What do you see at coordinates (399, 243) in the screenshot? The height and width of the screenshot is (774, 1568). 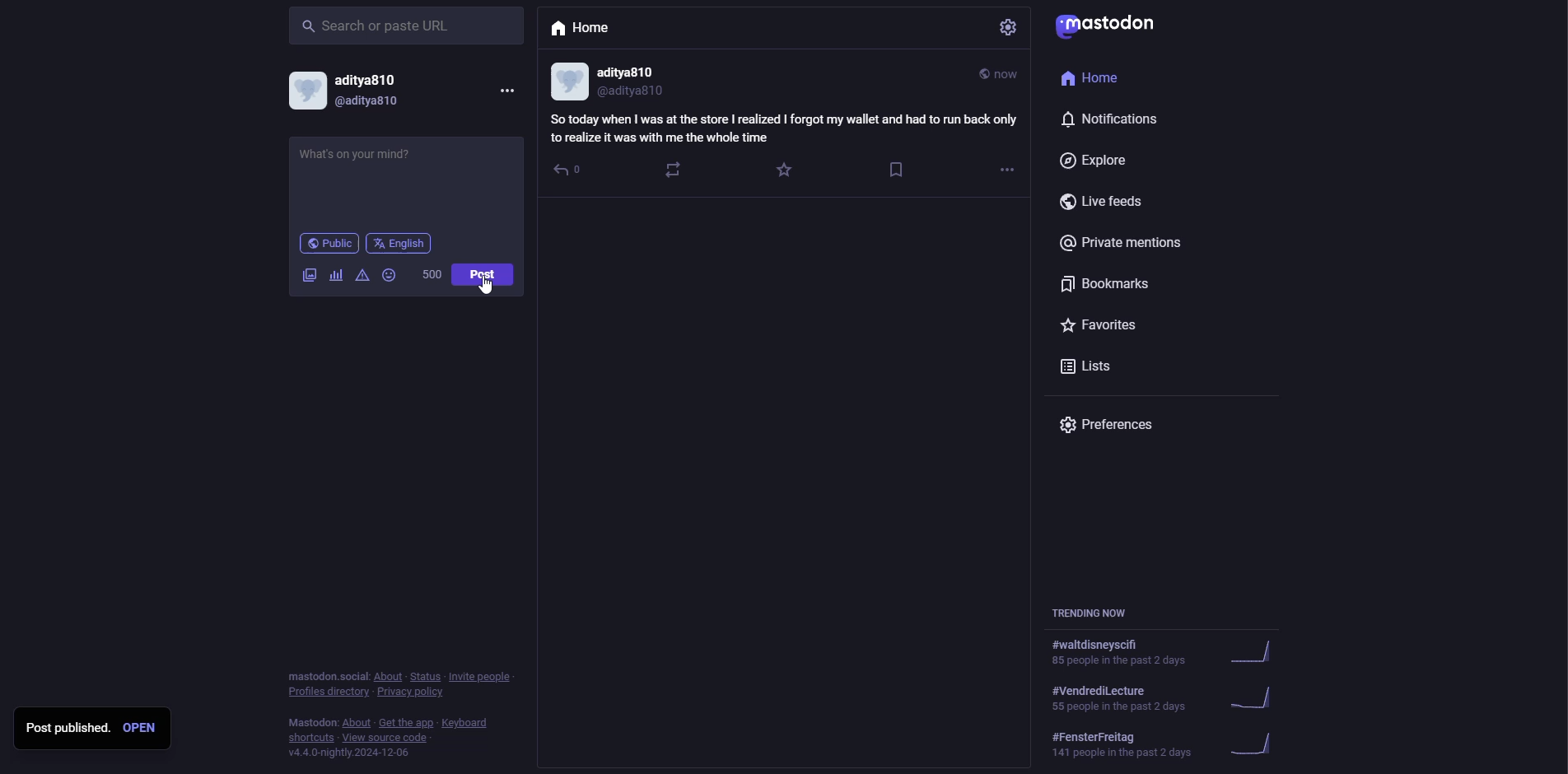 I see `english` at bounding box center [399, 243].